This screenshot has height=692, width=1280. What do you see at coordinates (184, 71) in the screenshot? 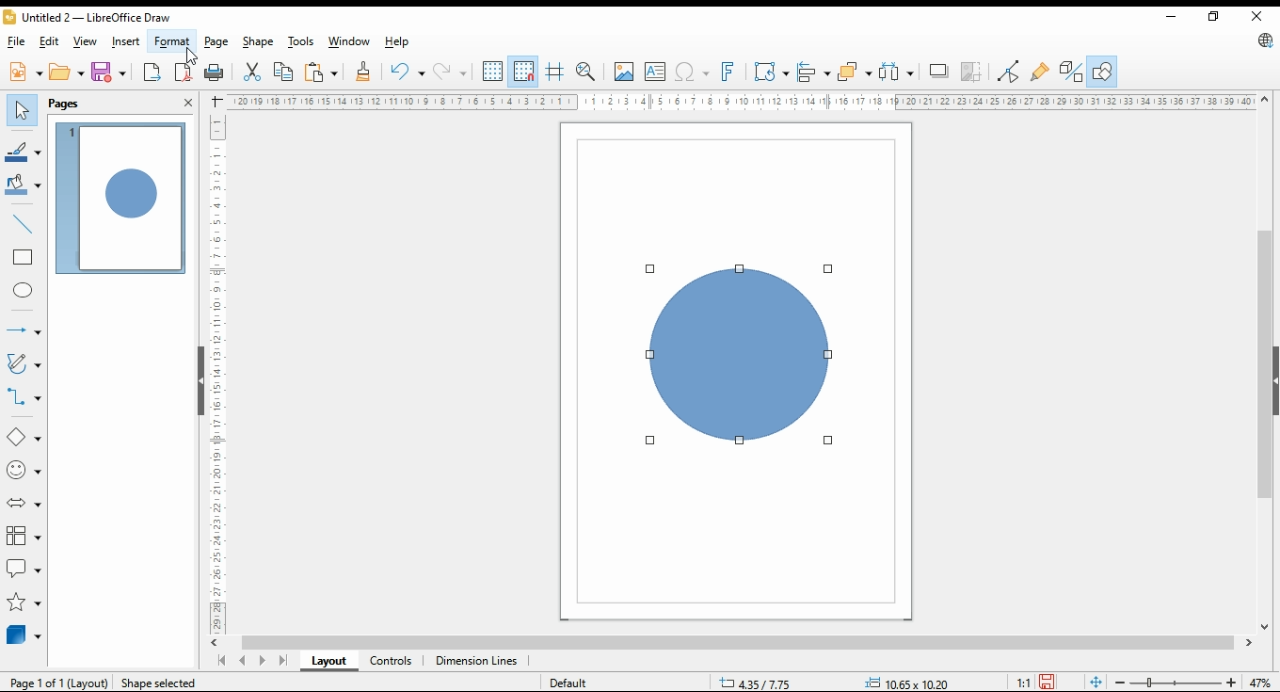
I see `export directly as pdf` at bounding box center [184, 71].